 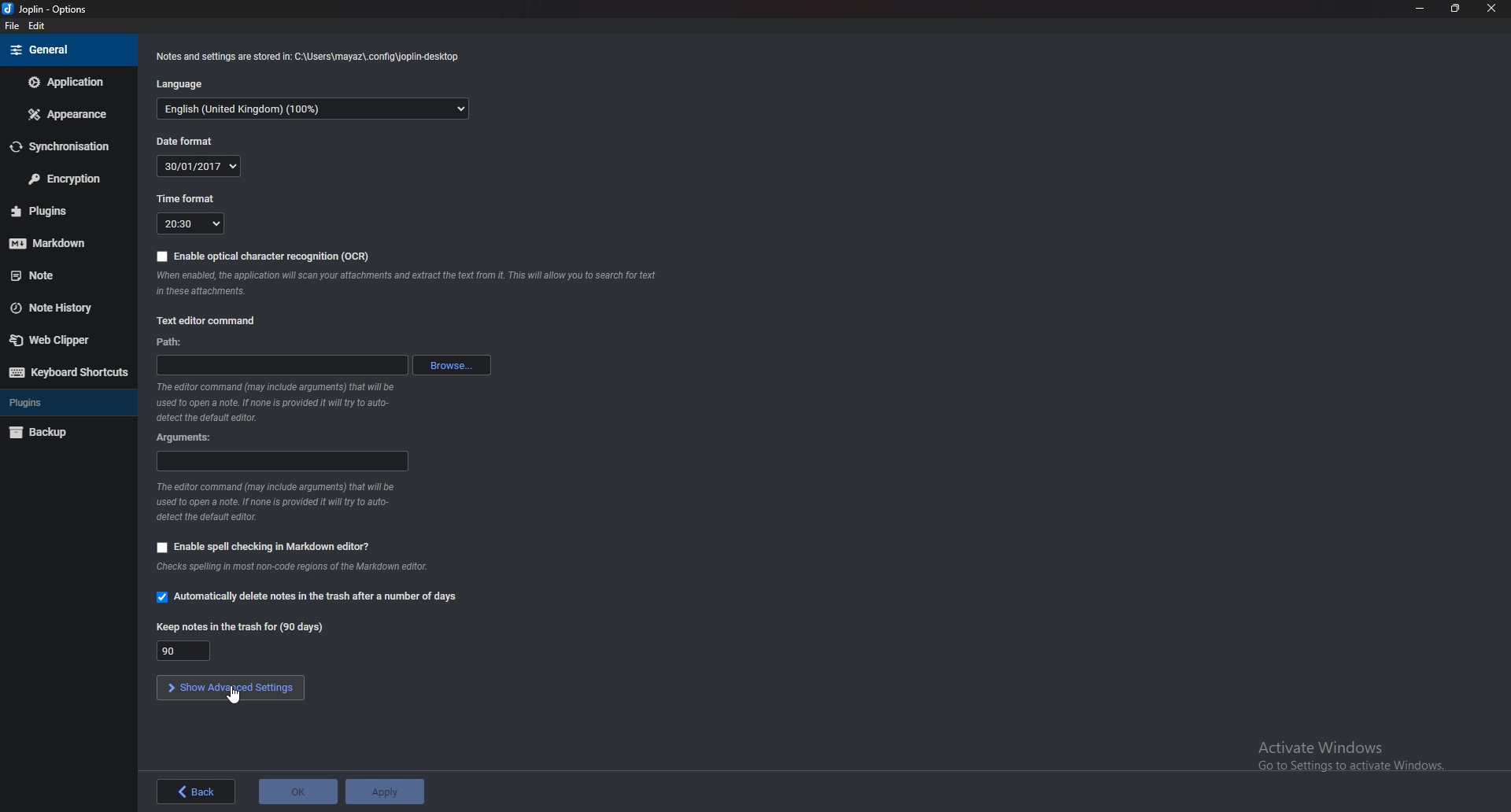 I want to click on Resize, so click(x=1456, y=8).